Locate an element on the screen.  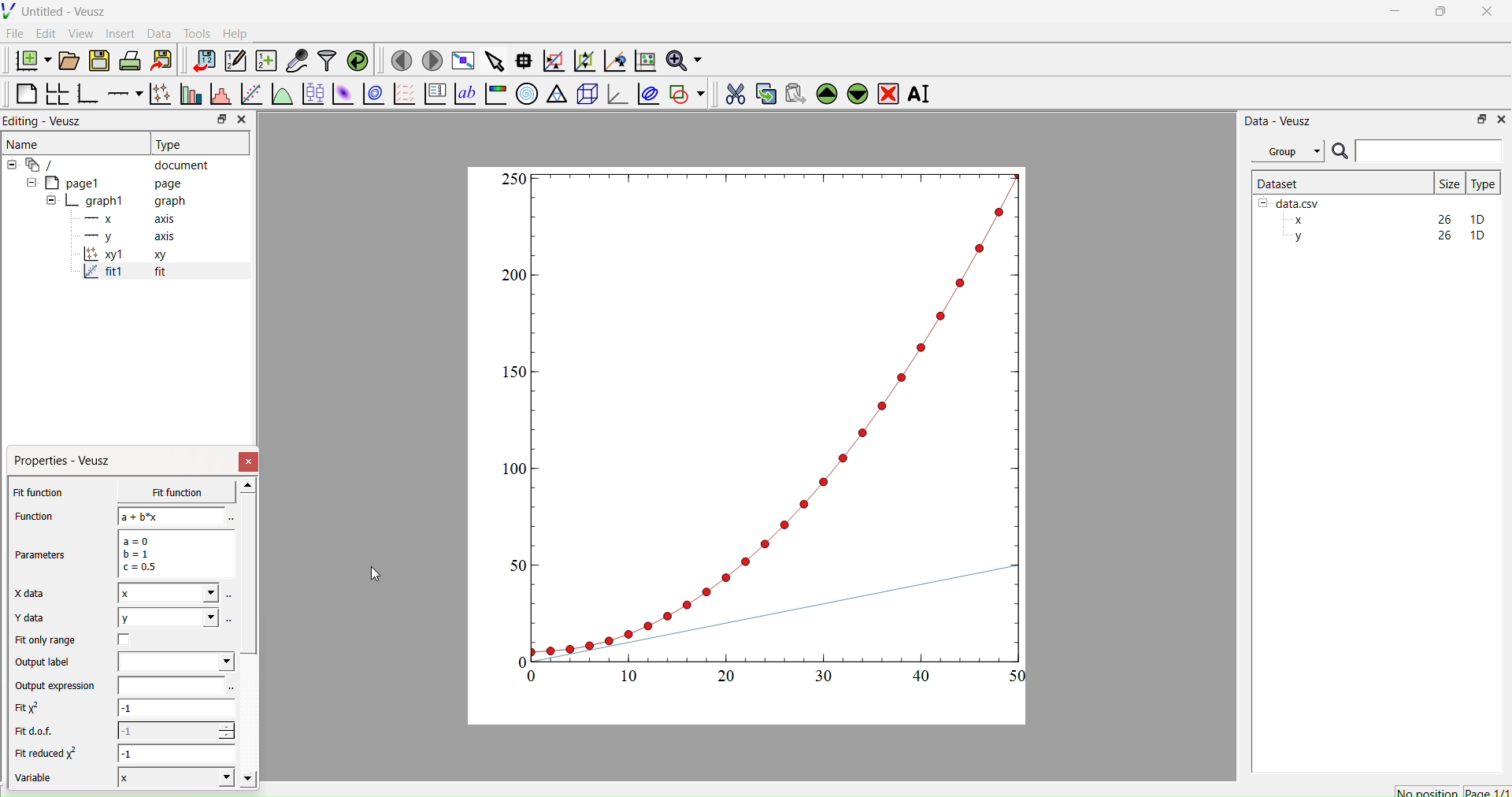
Insert is located at coordinates (123, 33).